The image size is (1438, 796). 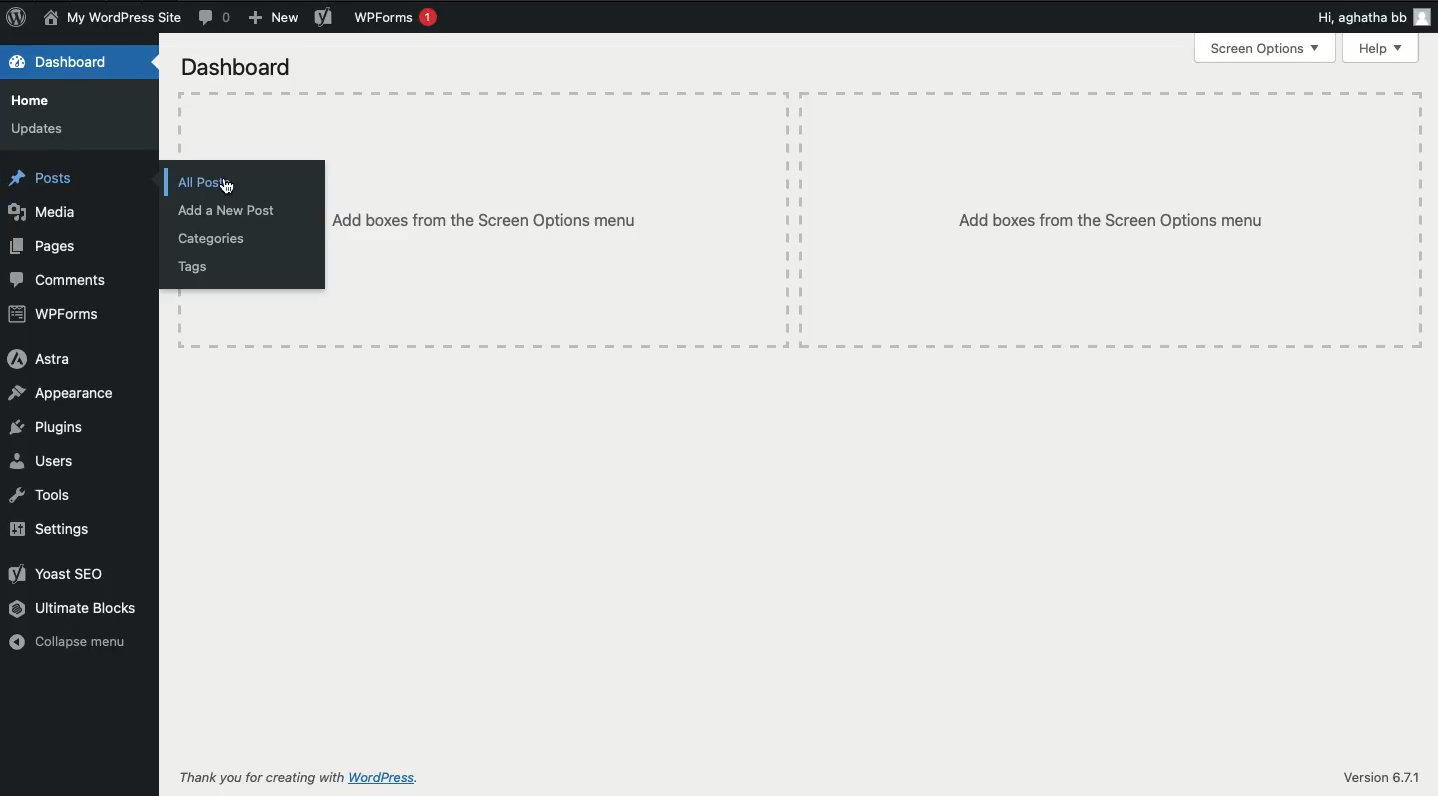 What do you see at coordinates (210, 240) in the screenshot?
I see `Categories` at bounding box center [210, 240].